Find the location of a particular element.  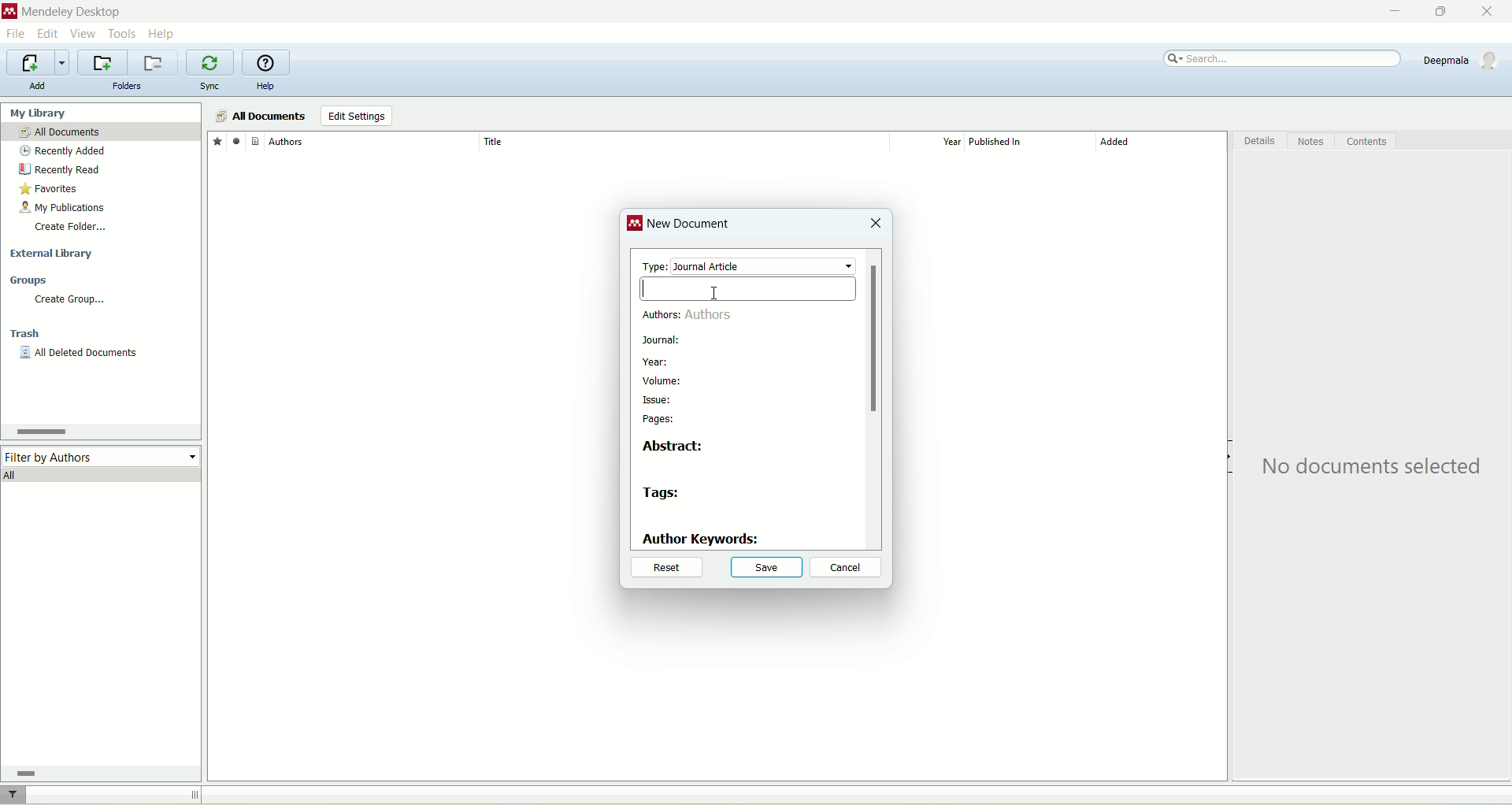

all is located at coordinates (102, 474).